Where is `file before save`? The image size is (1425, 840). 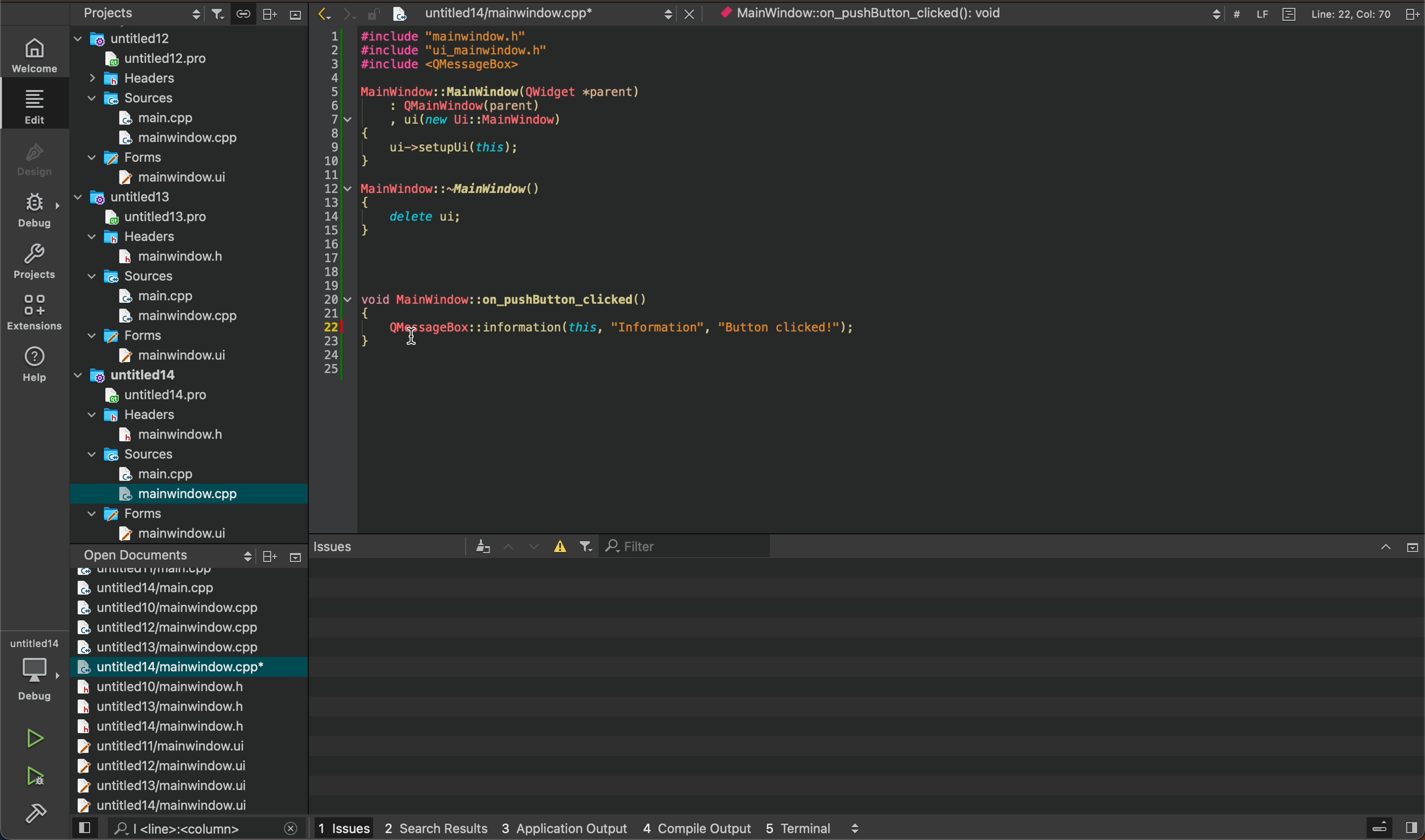
file before save is located at coordinates (560, 12).